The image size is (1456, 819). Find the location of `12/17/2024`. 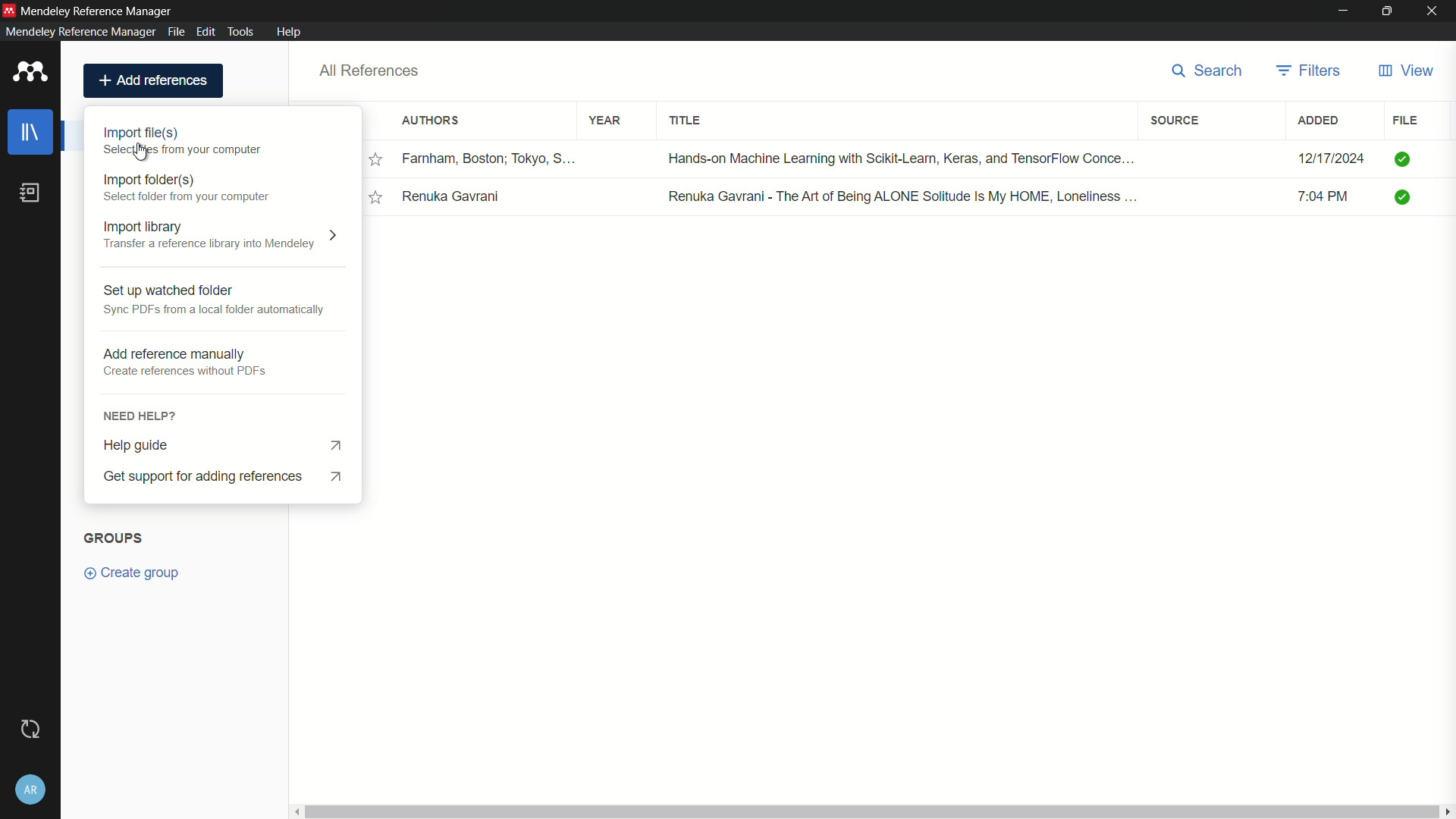

12/17/2024 is located at coordinates (1331, 158).